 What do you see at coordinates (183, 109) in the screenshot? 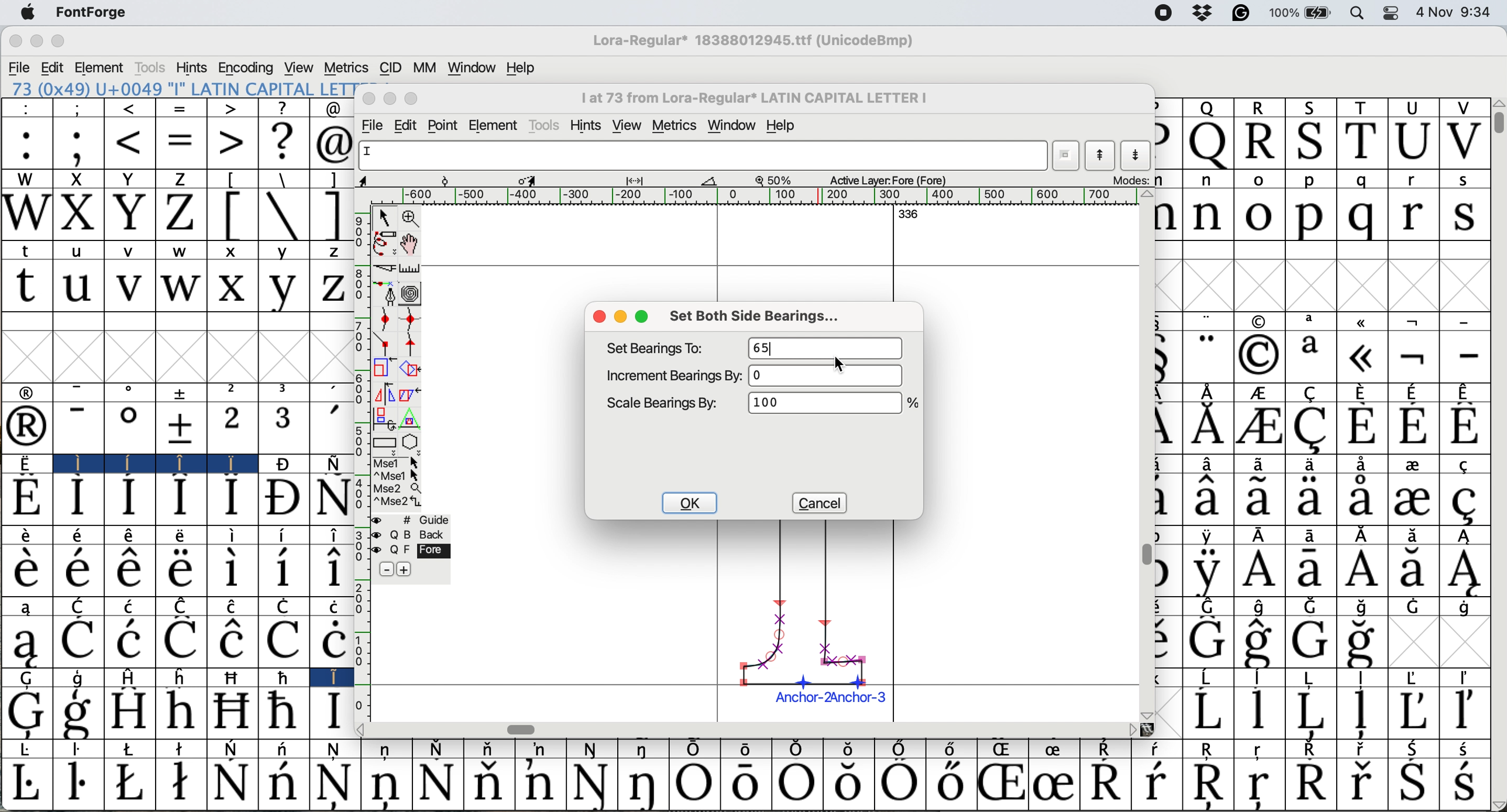
I see `=` at bounding box center [183, 109].